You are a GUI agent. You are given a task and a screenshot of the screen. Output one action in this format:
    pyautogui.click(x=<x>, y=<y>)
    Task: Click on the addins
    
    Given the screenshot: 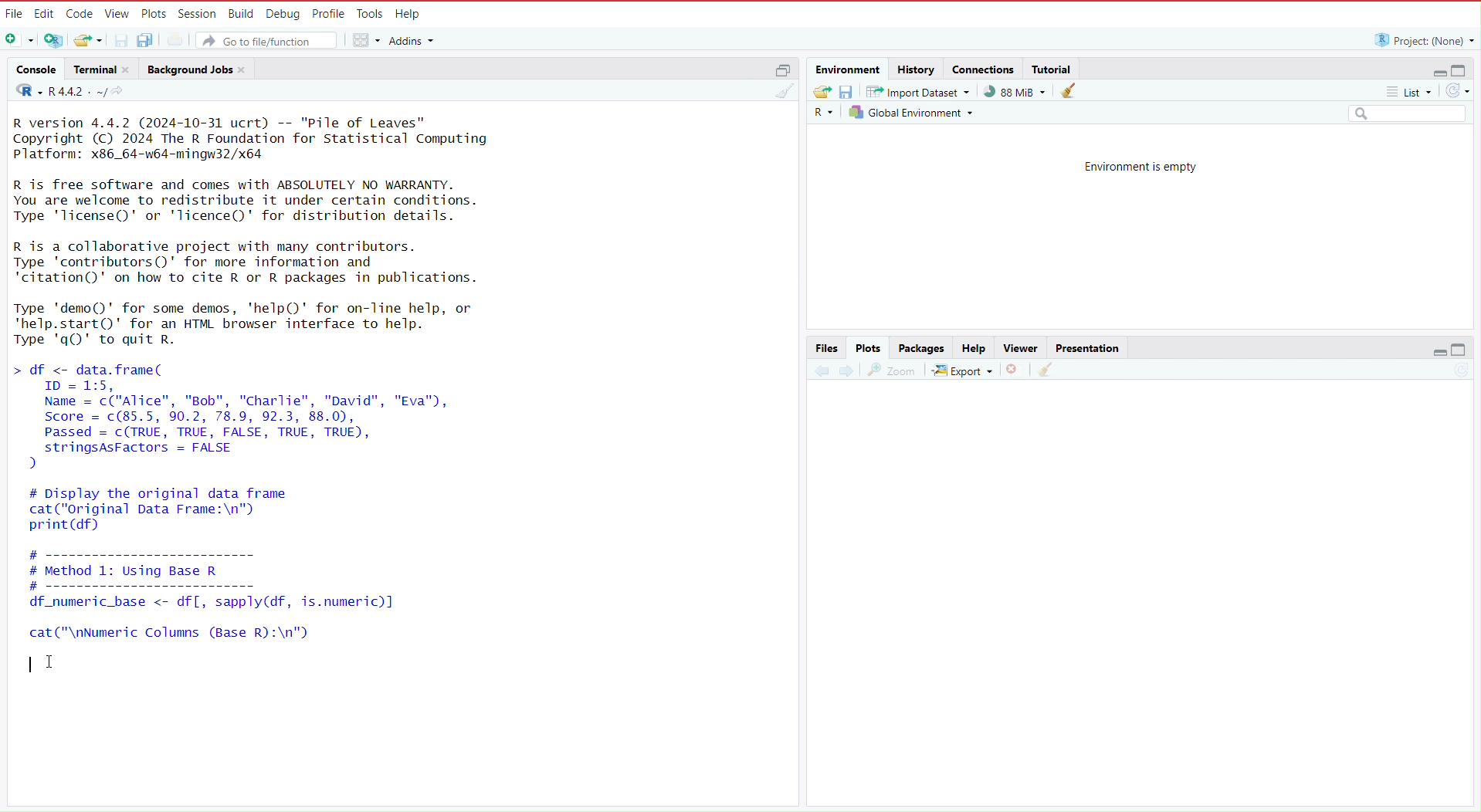 What is the action you would take?
    pyautogui.click(x=413, y=39)
    